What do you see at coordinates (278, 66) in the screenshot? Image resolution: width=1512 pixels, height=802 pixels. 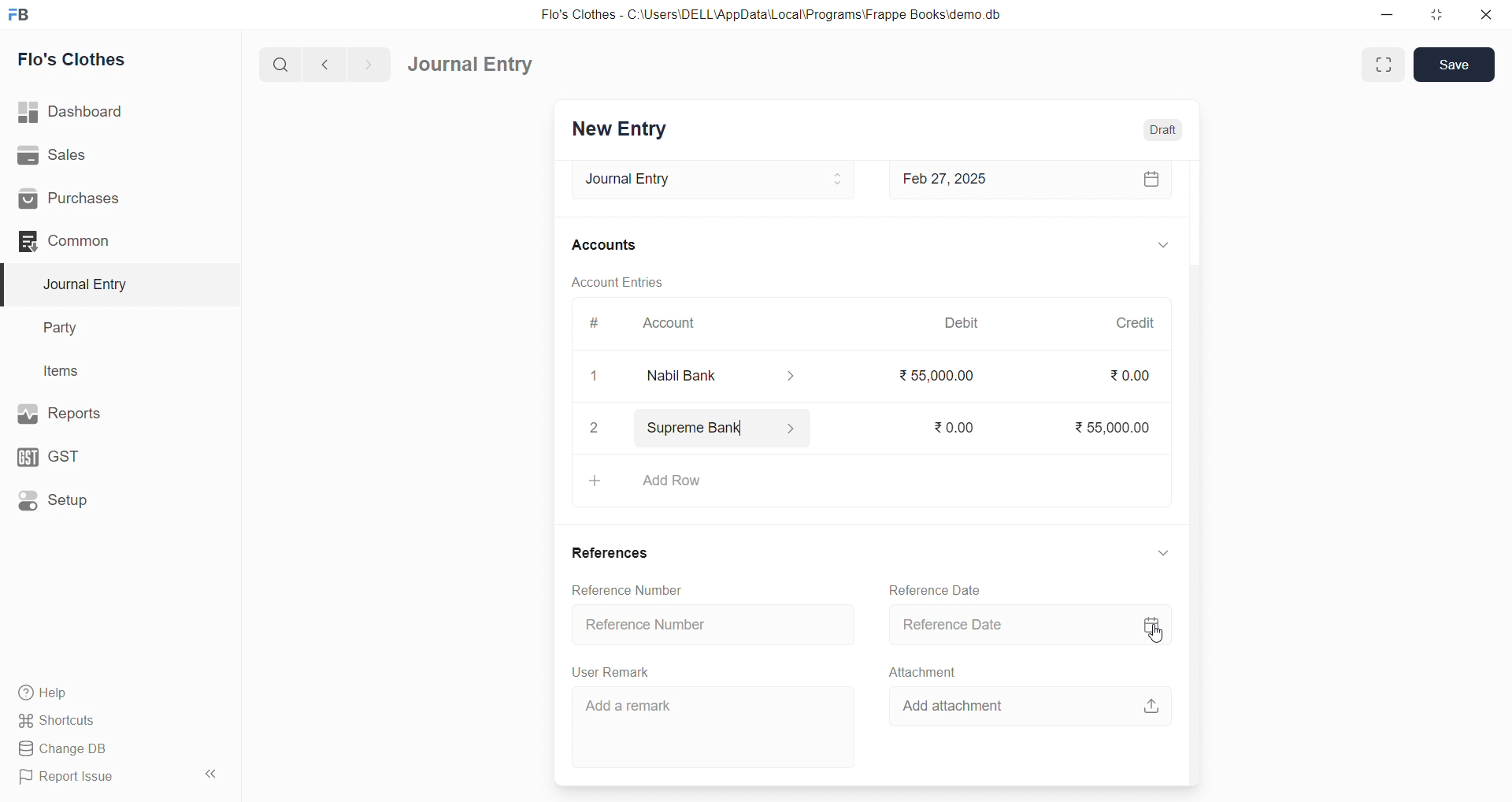 I see `search` at bounding box center [278, 66].